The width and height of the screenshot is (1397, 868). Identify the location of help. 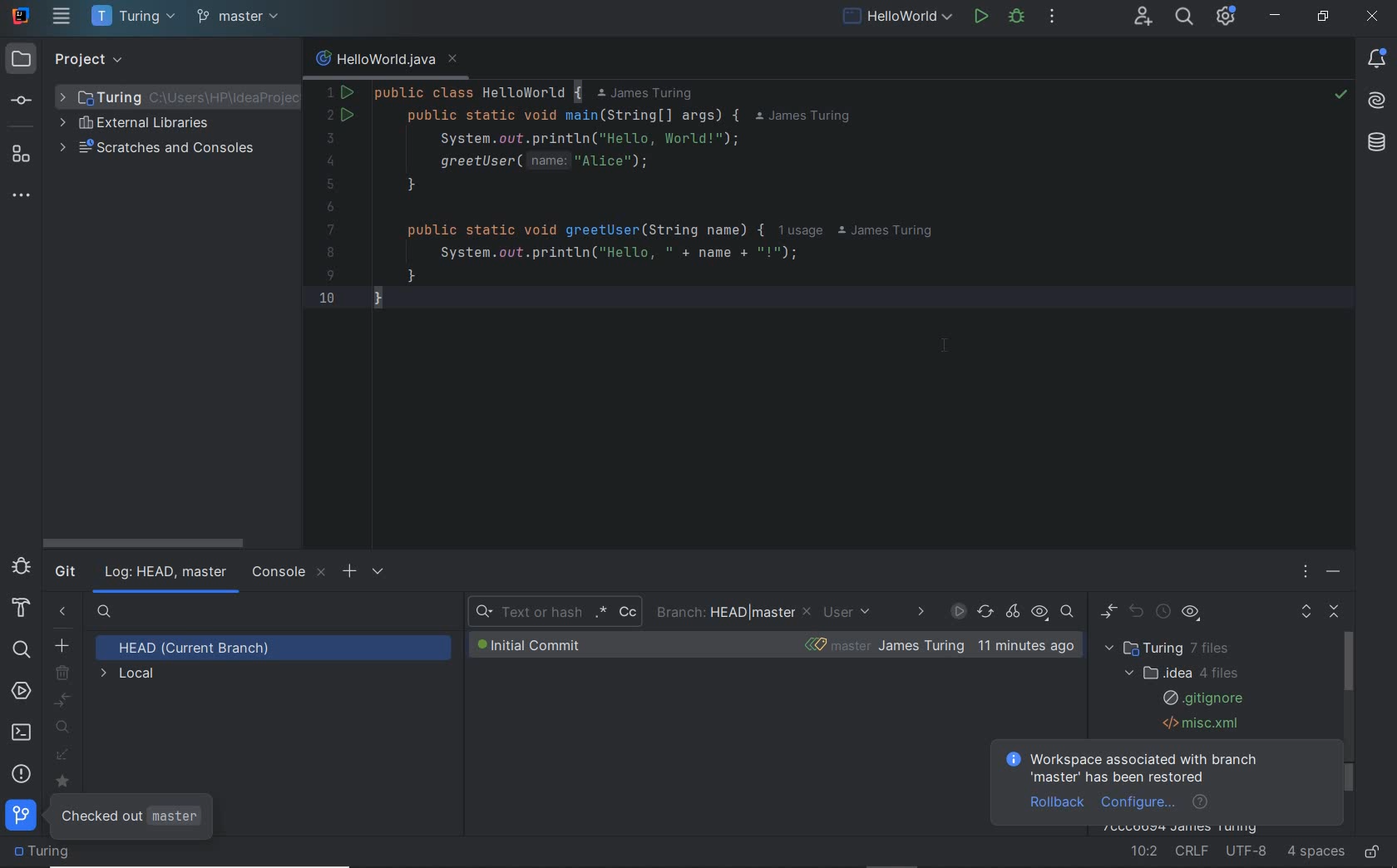
(1199, 804).